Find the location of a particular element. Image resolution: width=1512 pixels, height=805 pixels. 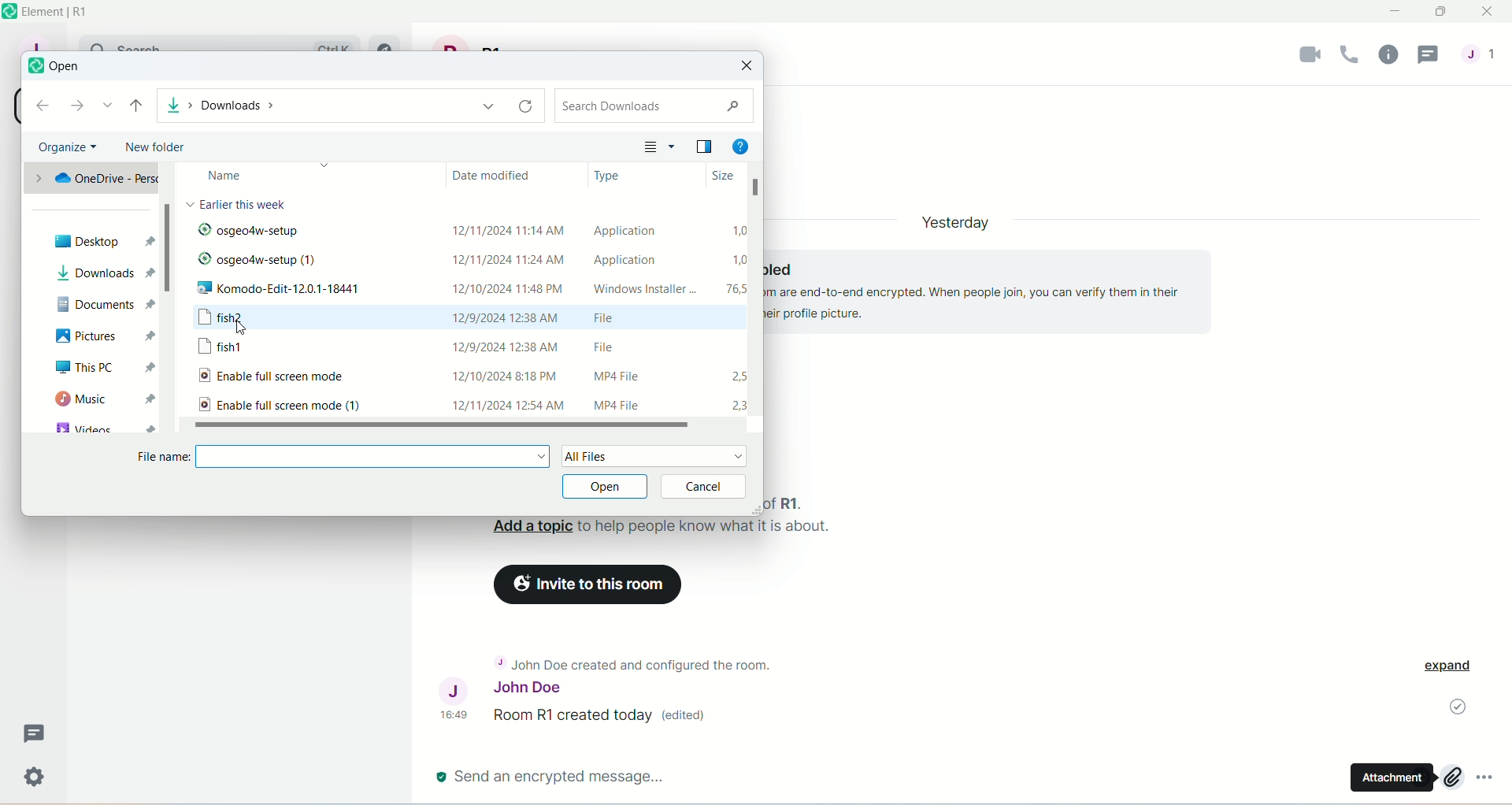

Application is located at coordinates (634, 231).